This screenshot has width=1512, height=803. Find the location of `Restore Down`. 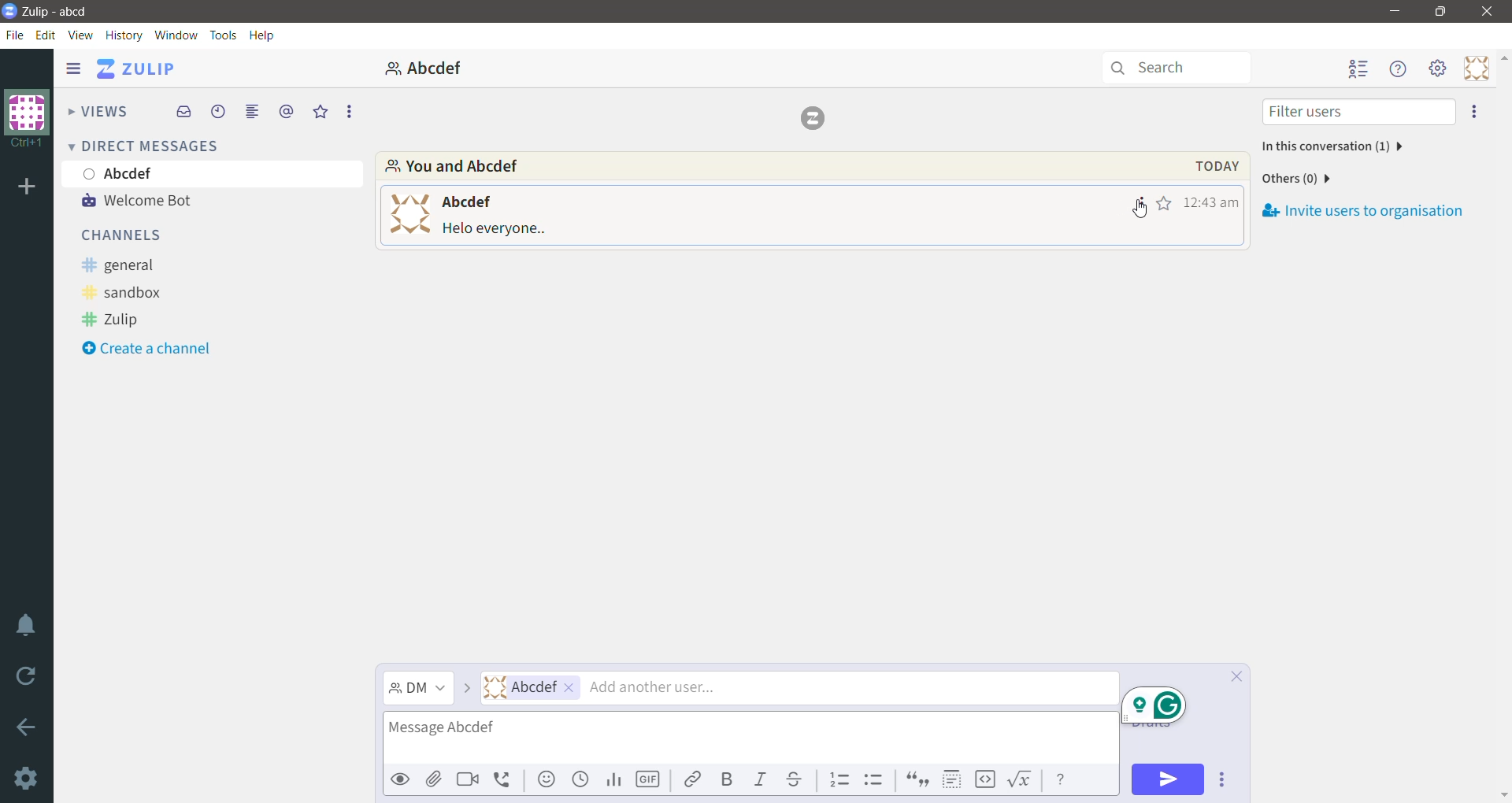

Restore Down is located at coordinates (1443, 12).